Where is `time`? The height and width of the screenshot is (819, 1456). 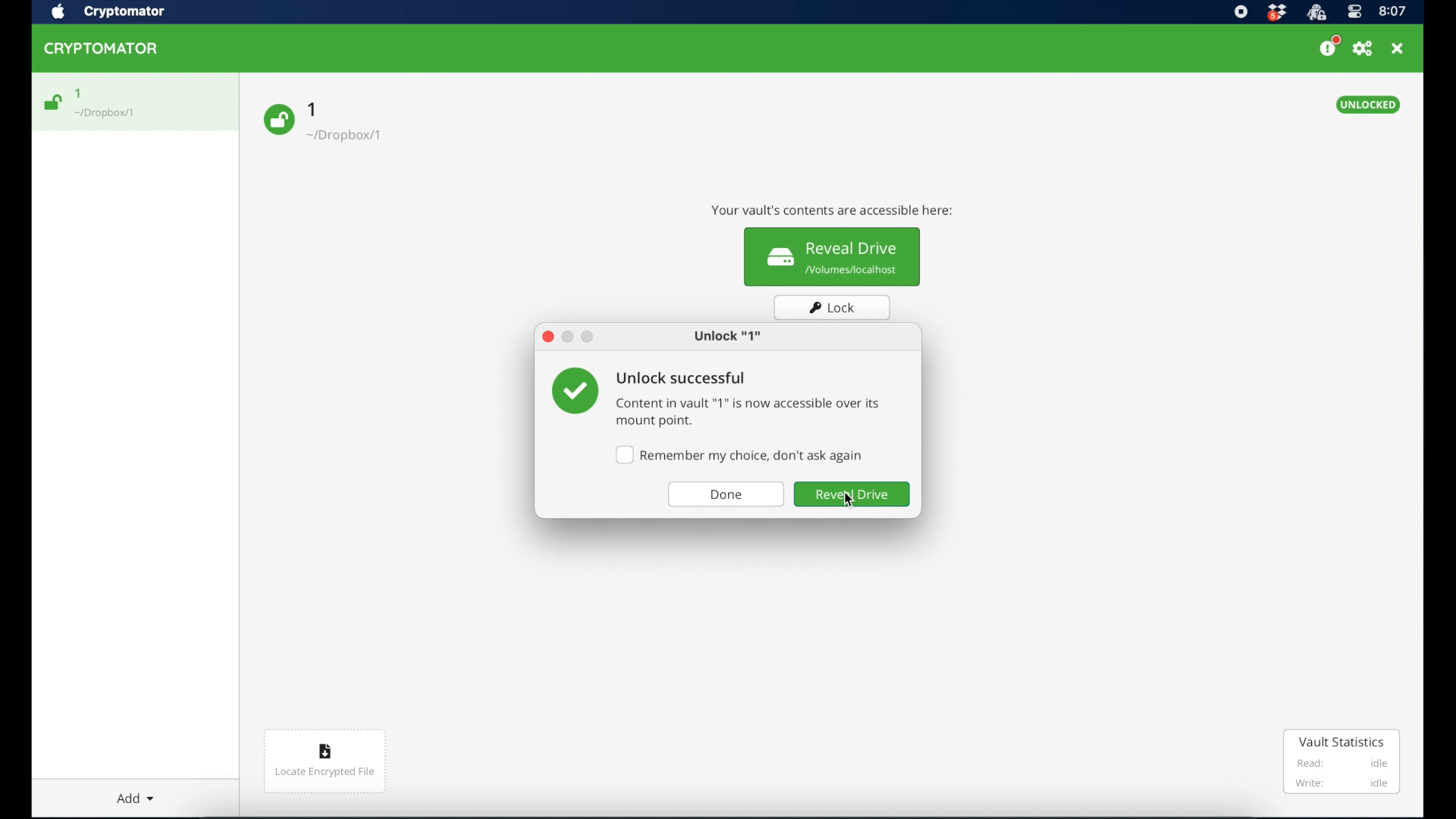
time is located at coordinates (1393, 11).